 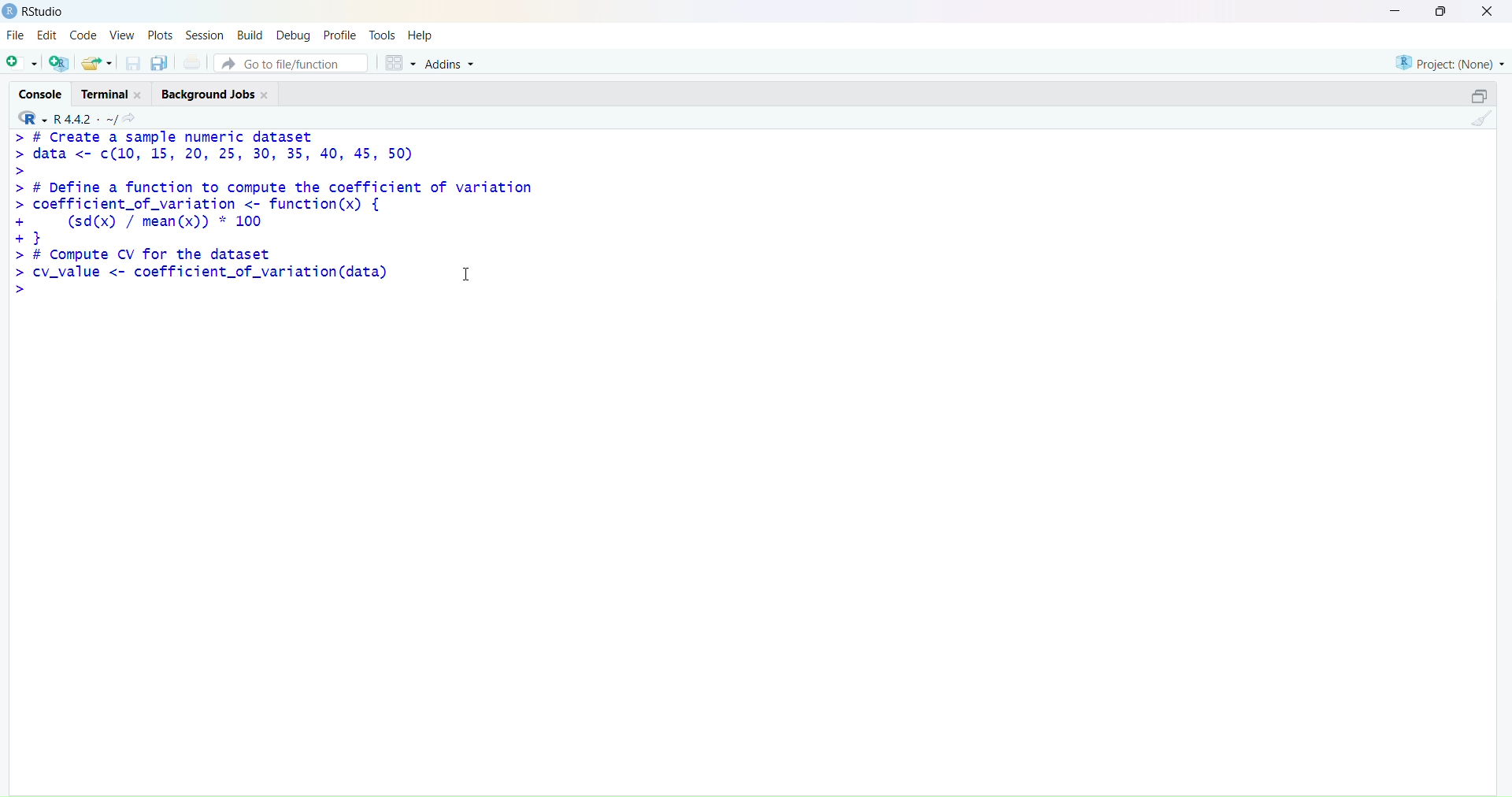 What do you see at coordinates (85, 119) in the screenshot?
I see `R 4.4.2 ~/` at bounding box center [85, 119].